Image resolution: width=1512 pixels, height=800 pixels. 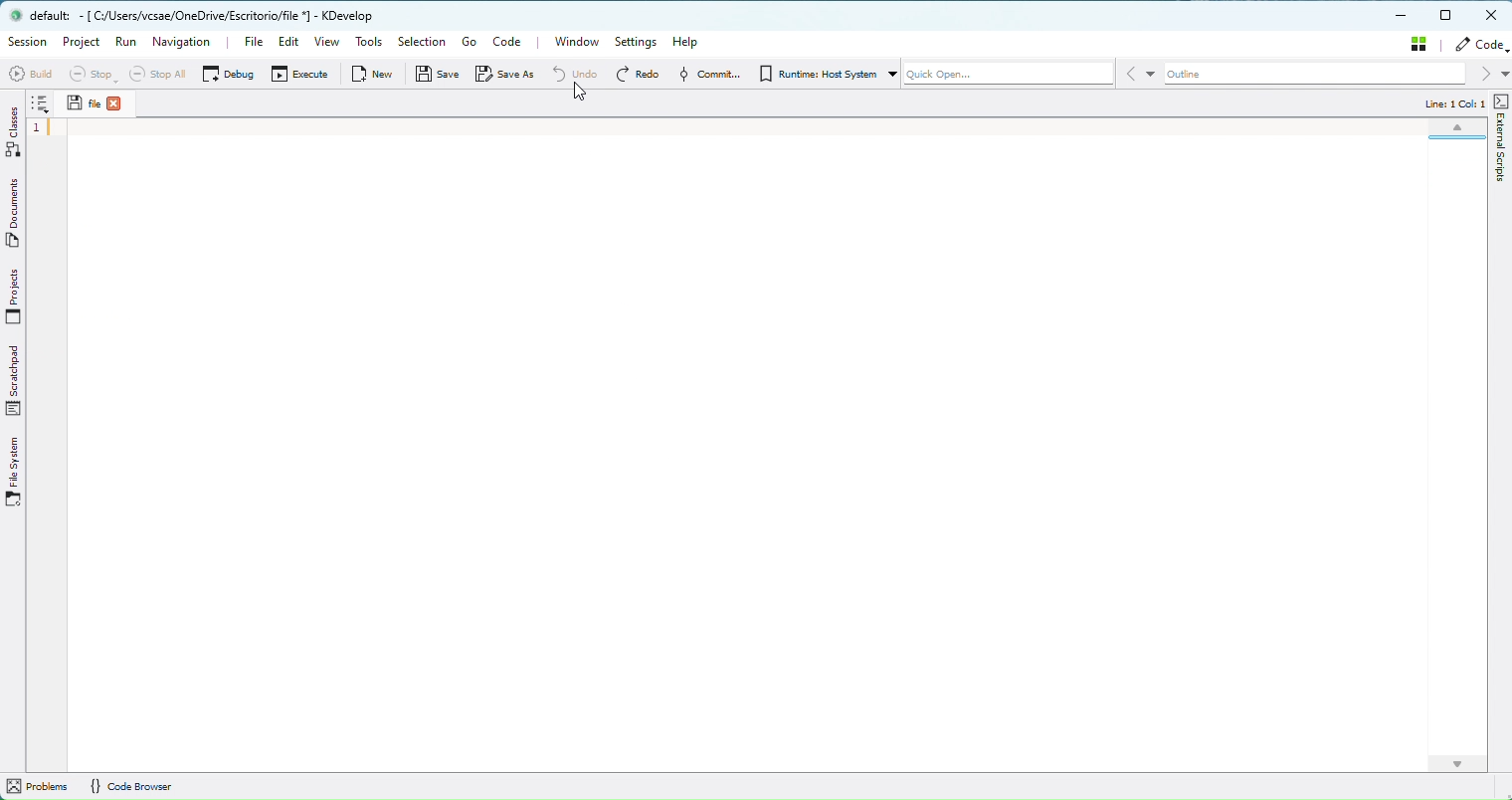 What do you see at coordinates (509, 41) in the screenshot?
I see `Code` at bounding box center [509, 41].